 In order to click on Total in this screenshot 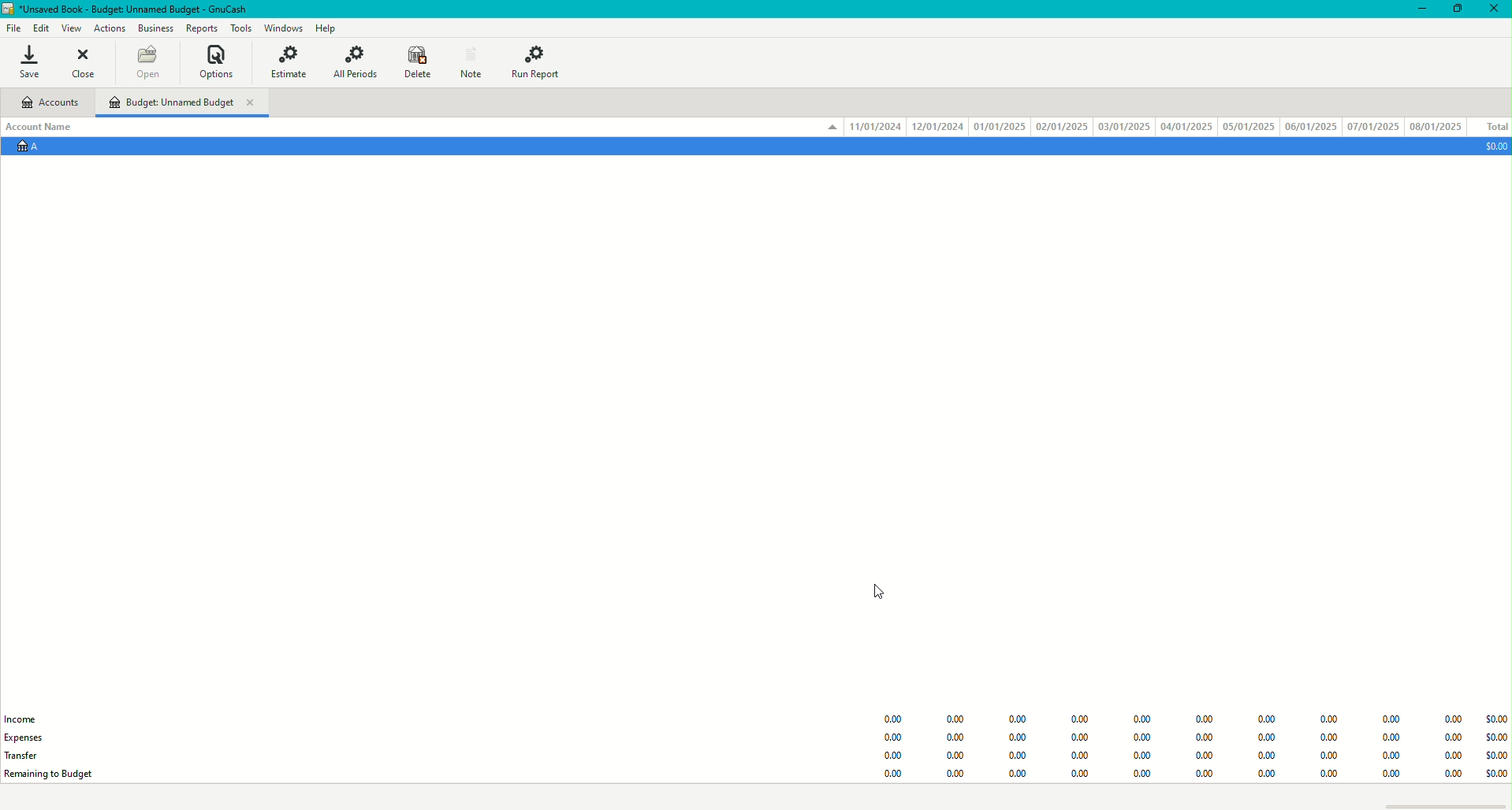, I will do `click(1495, 127)`.